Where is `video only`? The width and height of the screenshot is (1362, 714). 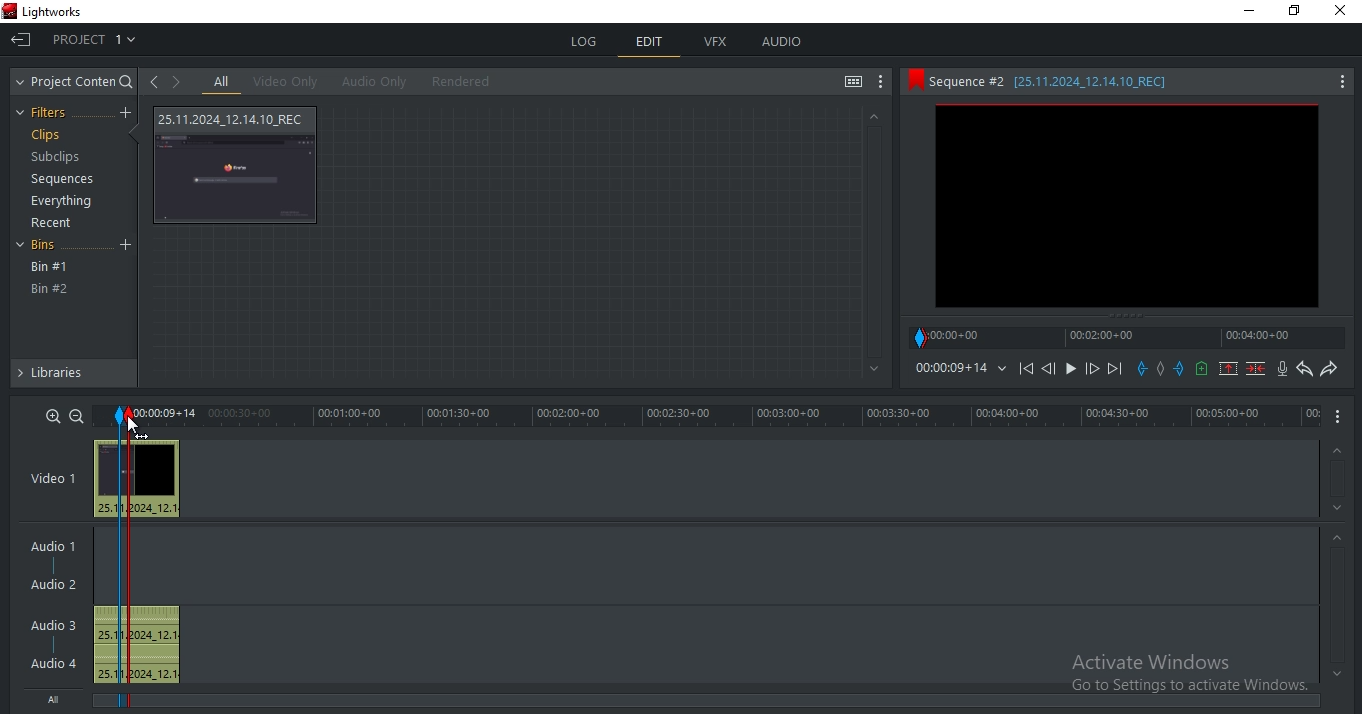
video only is located at coordinates (285, 82).